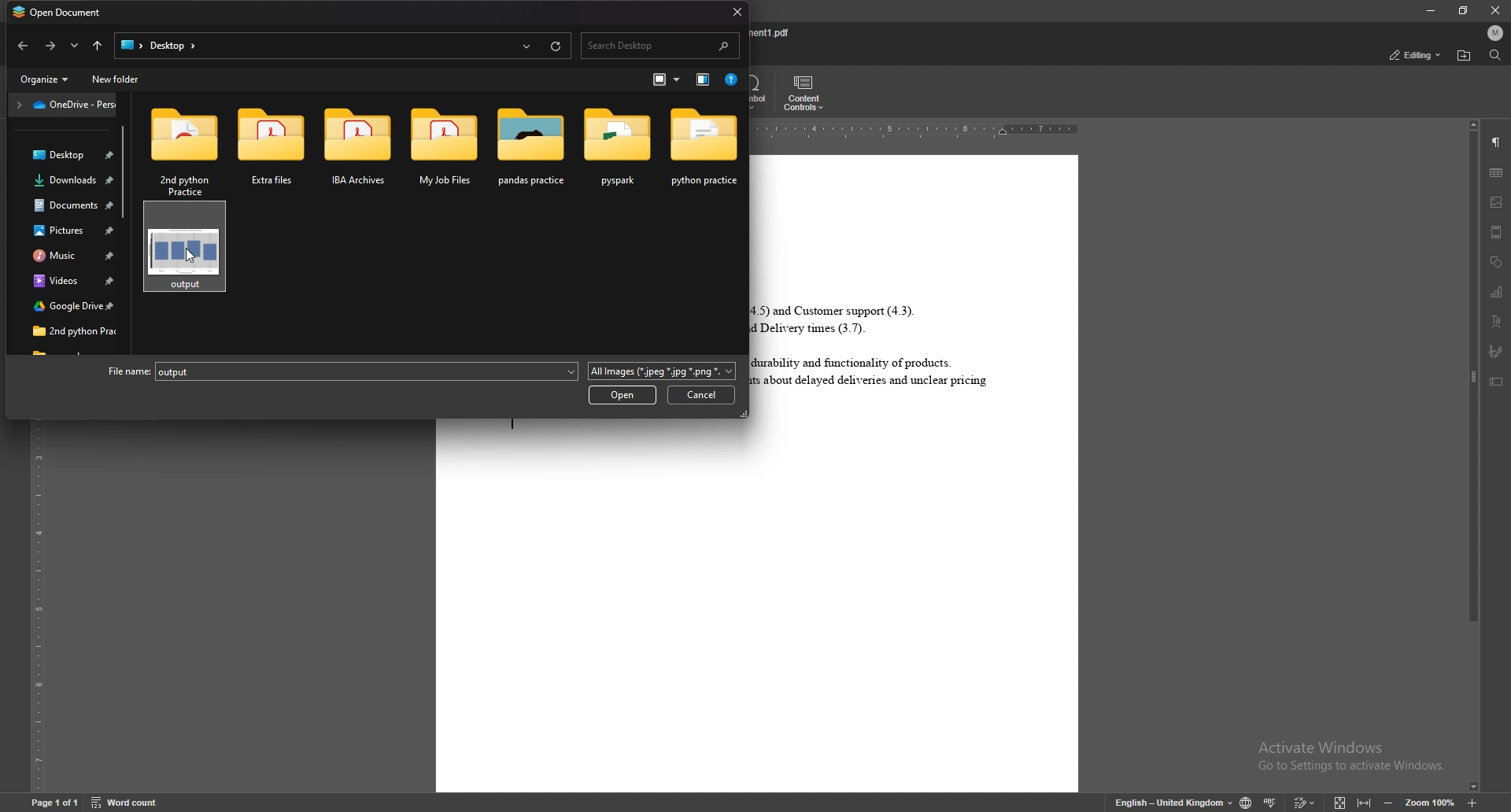 The width and height of the screenshot is (1511, 812). What do you see at coordinates (918, 473) in the screenshot?
I see `document` at bounding box center [918, 473].